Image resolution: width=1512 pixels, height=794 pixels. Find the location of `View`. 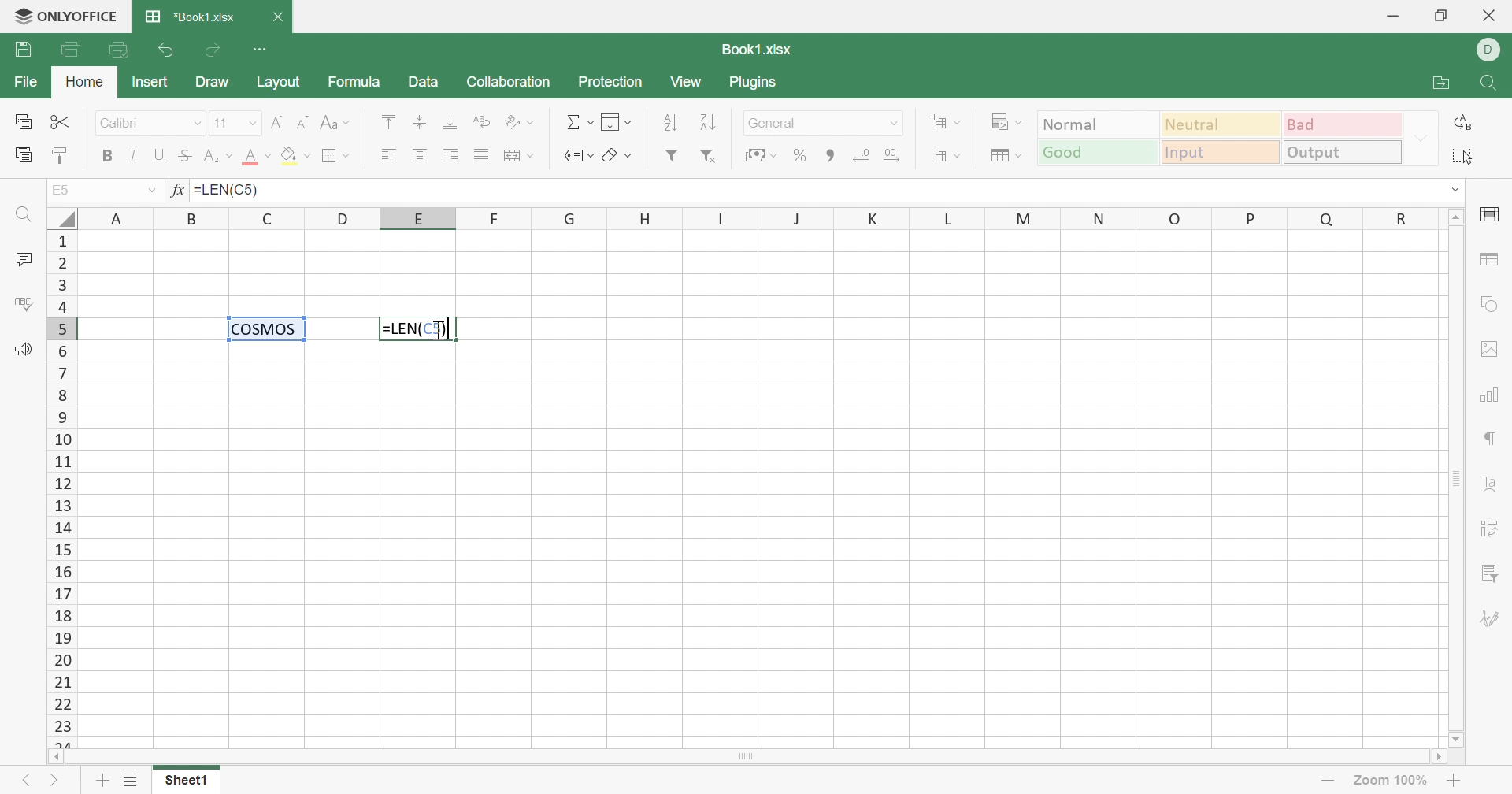

View is located at coordinates (688, 83).